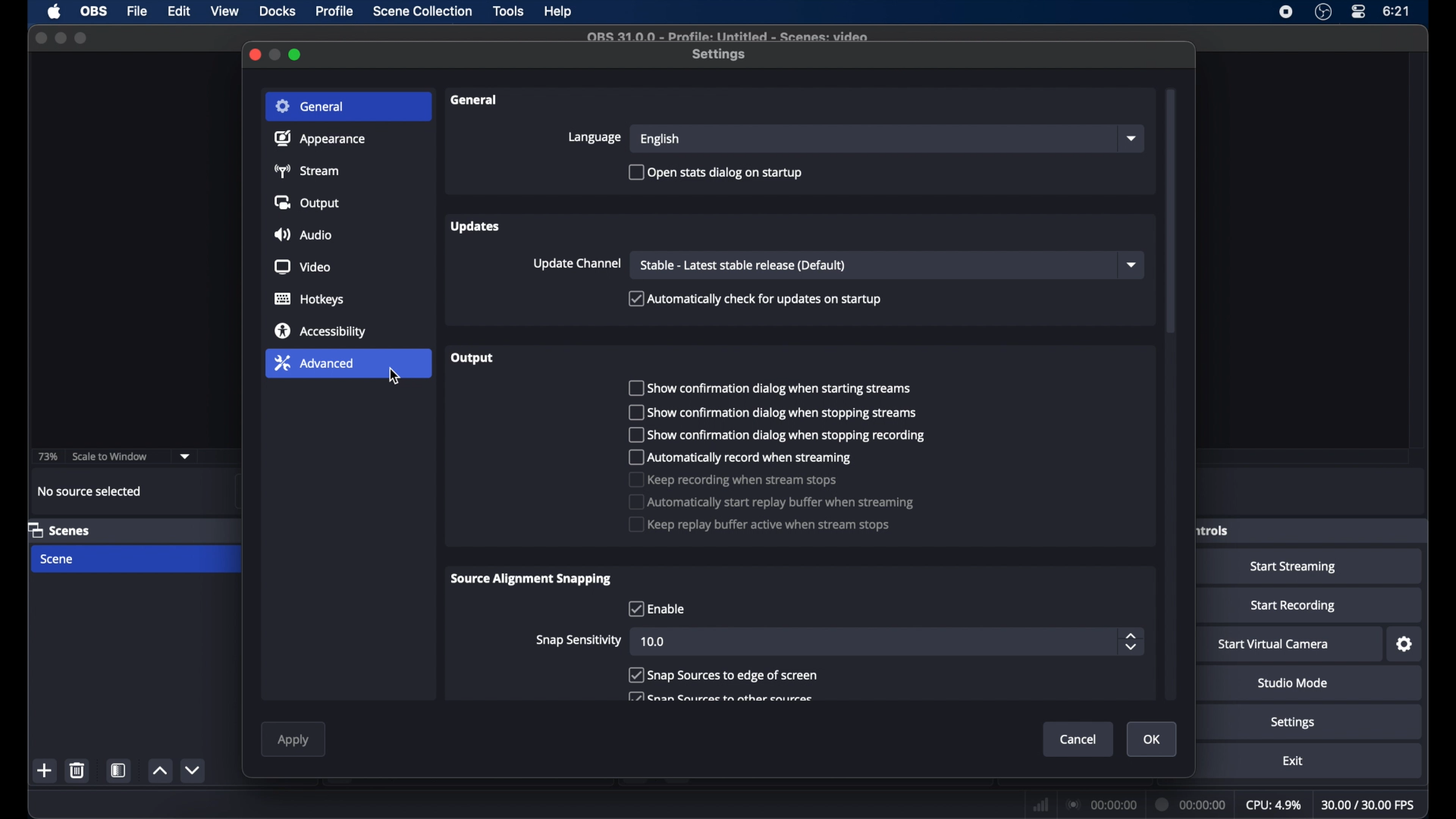 This screenshot has width=1456, height=819. Describe the element at coordinates (758, 526) in the screenshot. I see `Keep replay buffer active when stream stops` at that location.